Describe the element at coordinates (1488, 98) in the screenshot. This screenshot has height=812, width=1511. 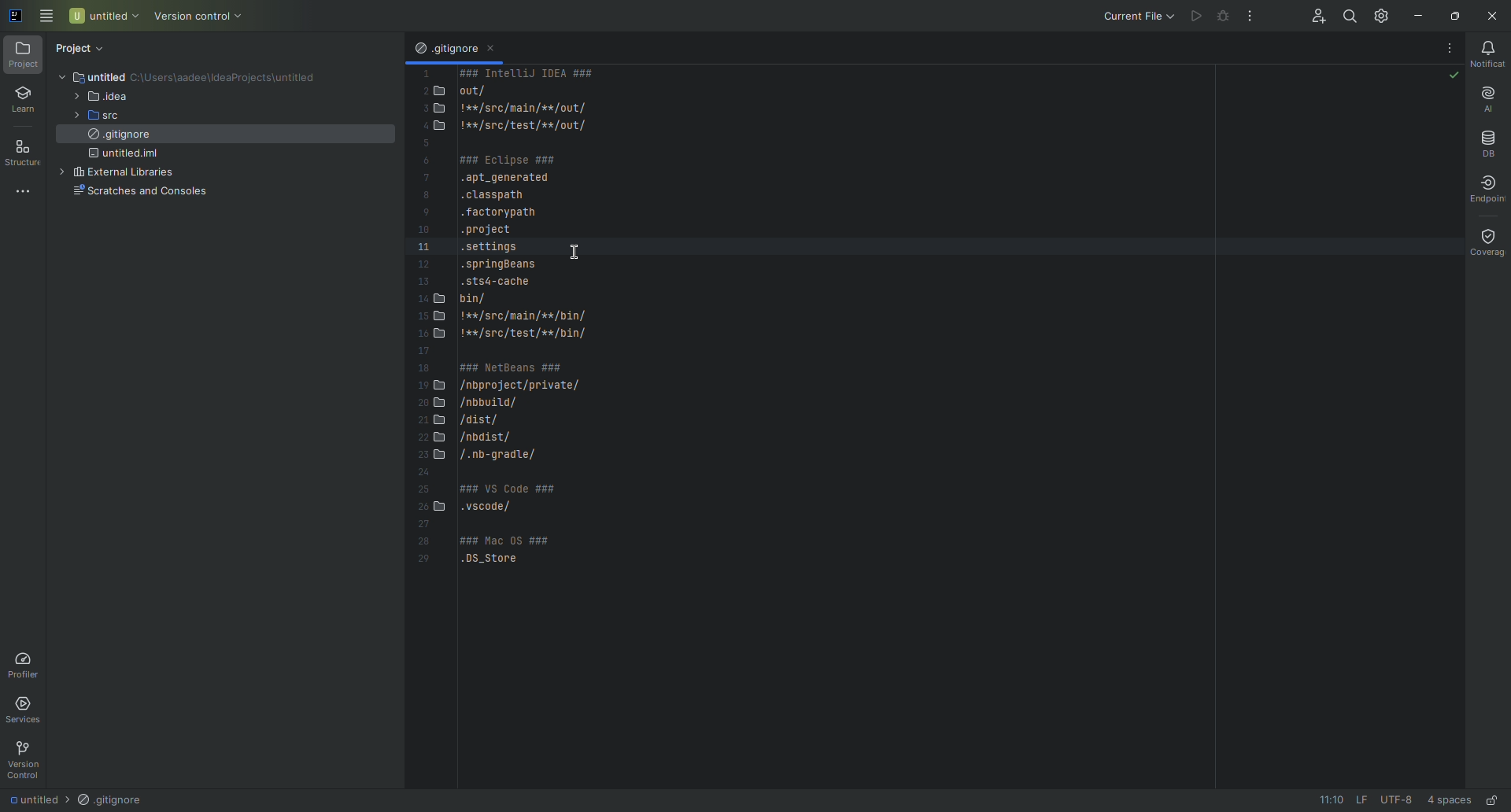
I see `AI Assistant` at that location.